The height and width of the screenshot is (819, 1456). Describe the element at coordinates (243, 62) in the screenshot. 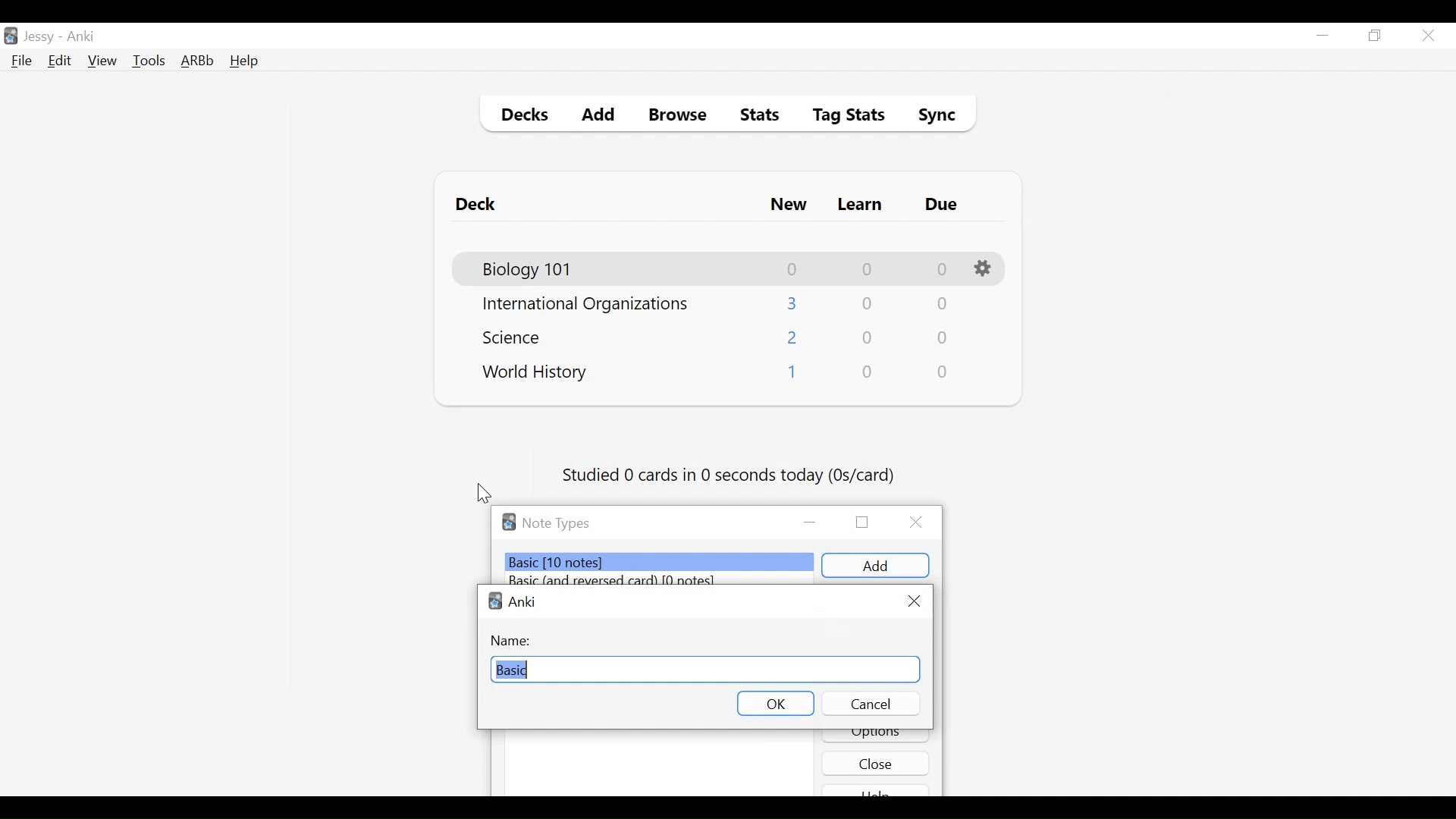

I see `Help` at that location.